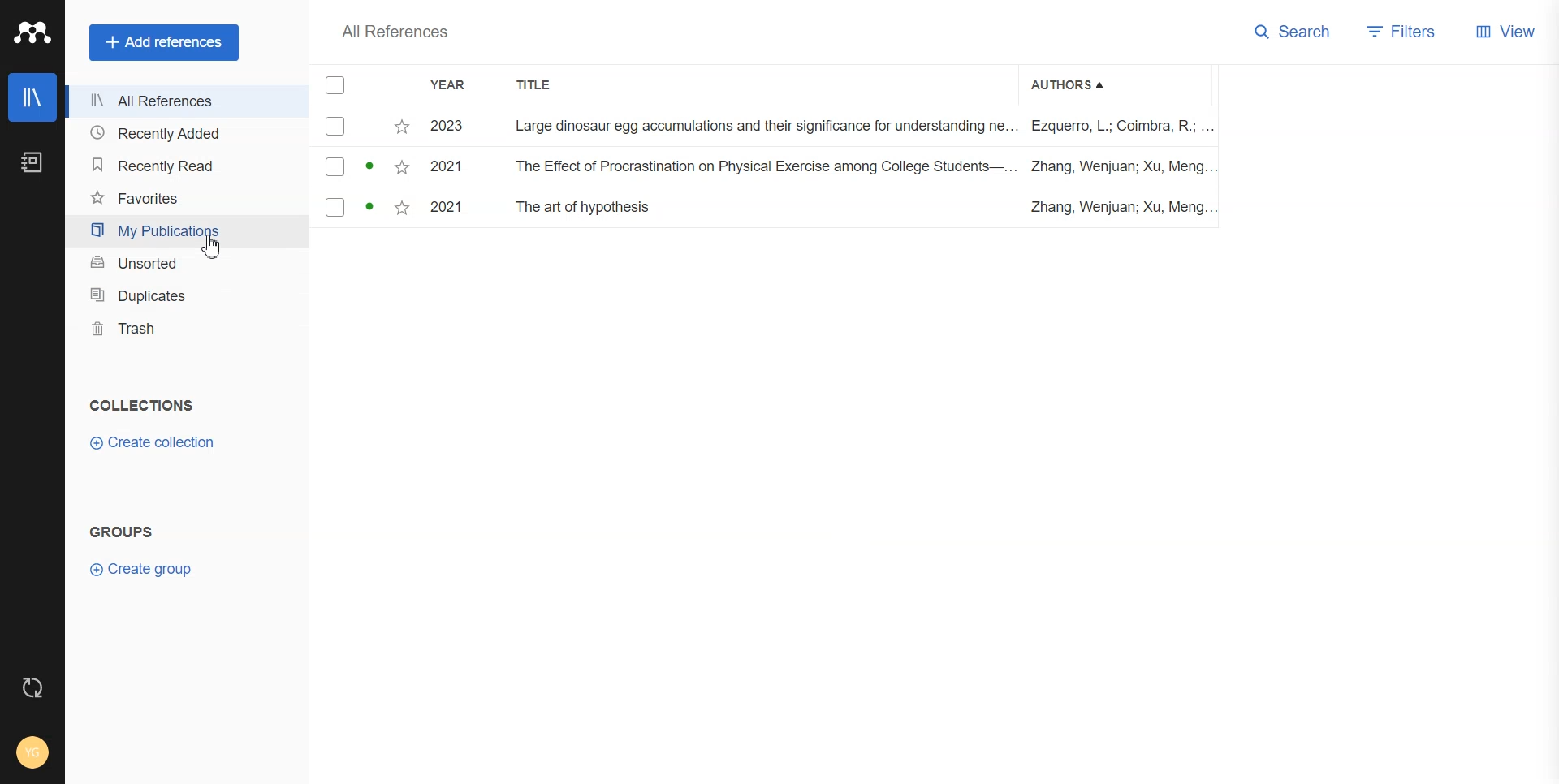 The image size is (1559, 784). What do you see at coordinates (543, 85) in the screenshot?
I see `Title ` at bounding box center [543, 85].